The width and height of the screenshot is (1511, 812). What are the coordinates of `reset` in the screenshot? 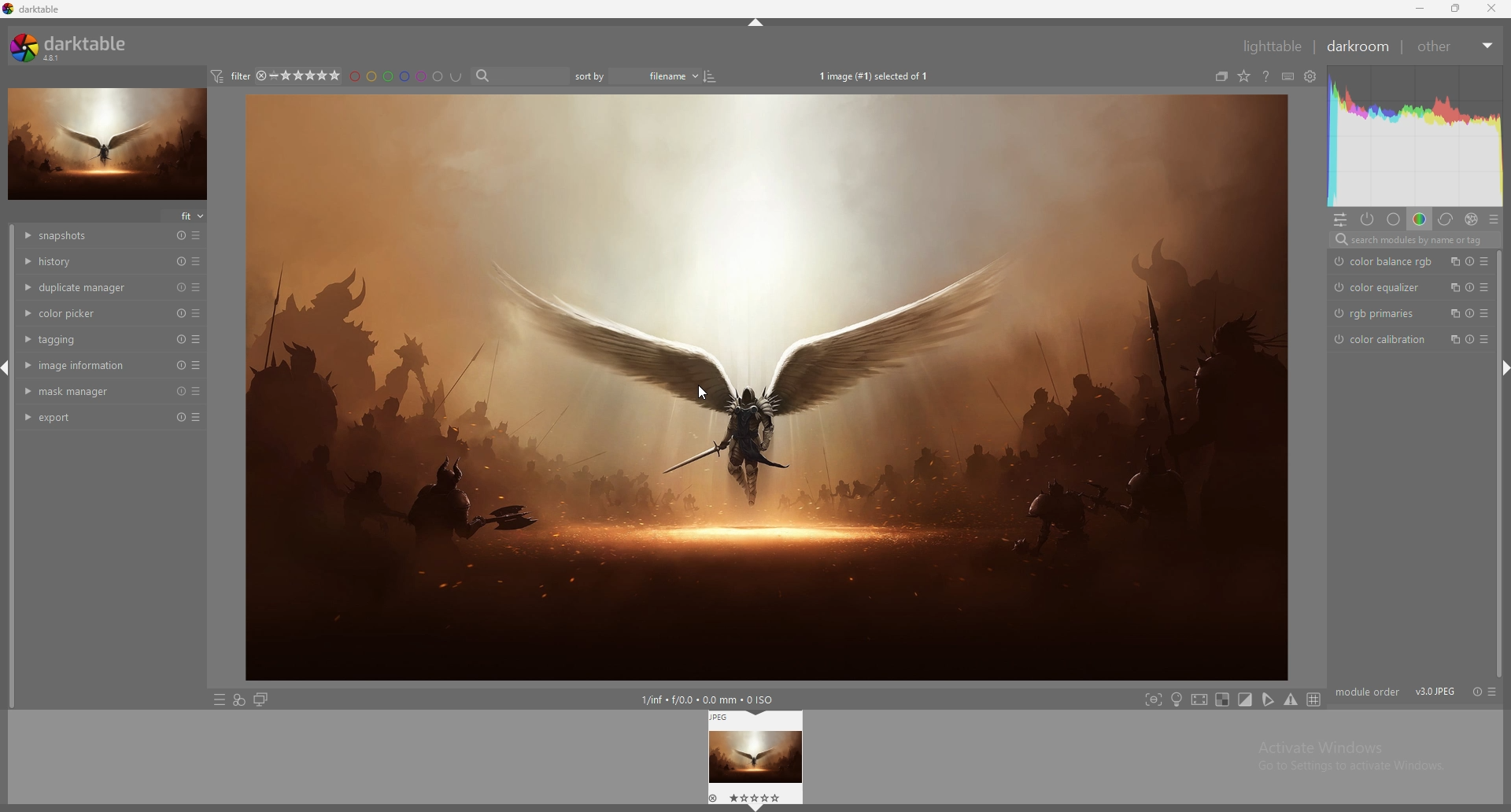 It's located at (1469, 312).